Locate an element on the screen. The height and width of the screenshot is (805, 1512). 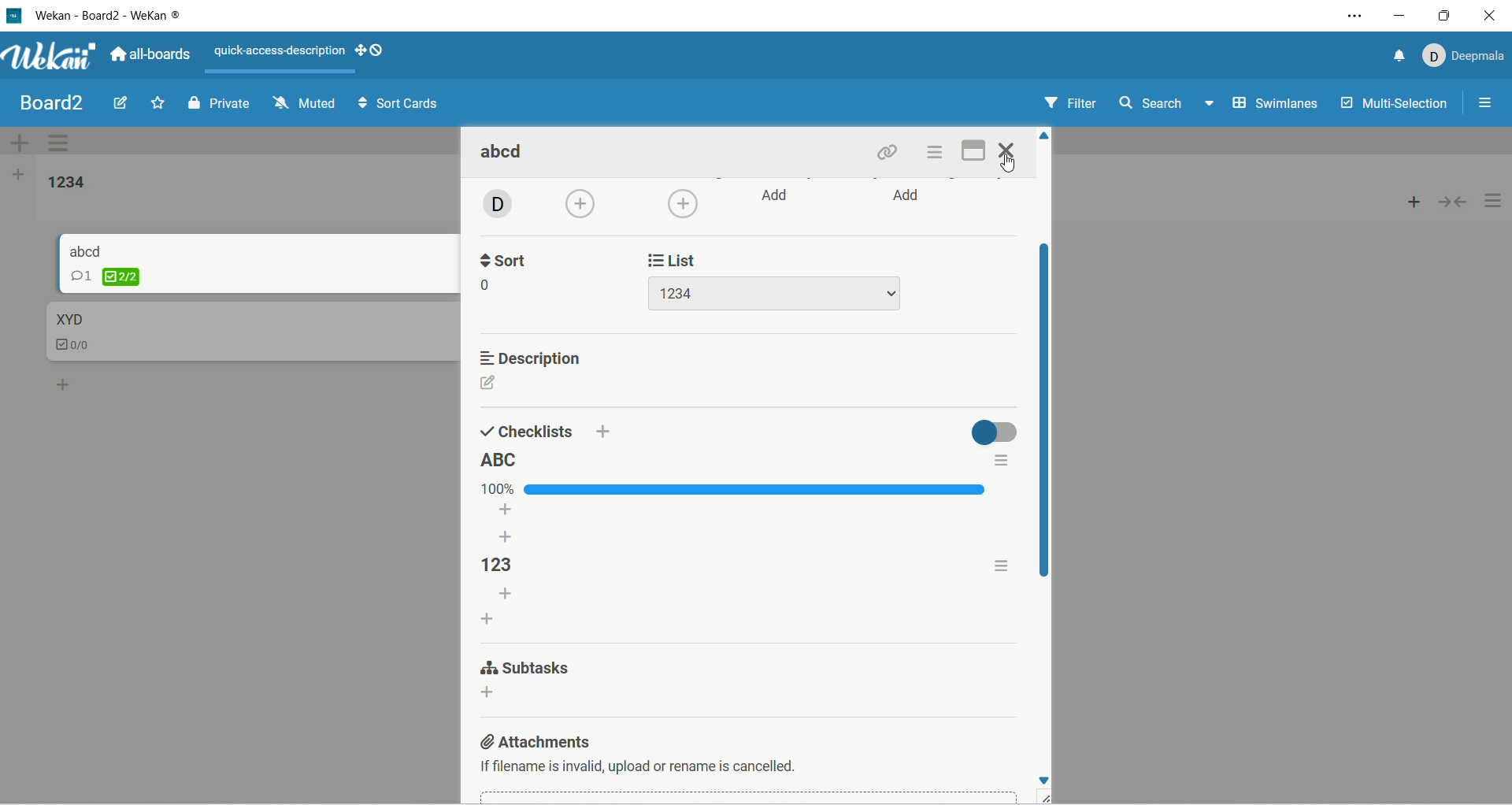
board title is located at coordinates (48, 102).